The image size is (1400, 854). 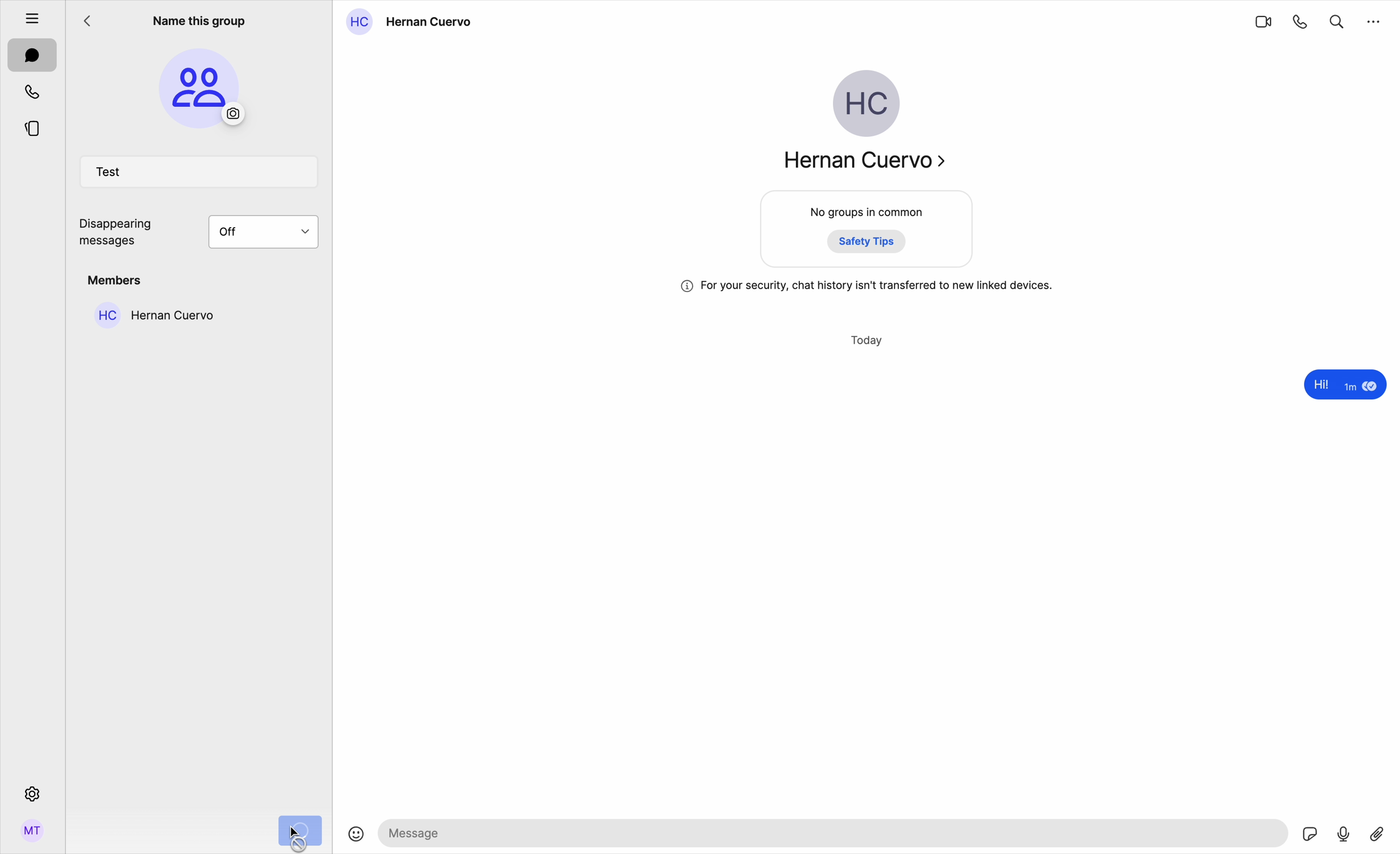 I want to click on Hernan Cuervo contact, so click(x=414, y=22).